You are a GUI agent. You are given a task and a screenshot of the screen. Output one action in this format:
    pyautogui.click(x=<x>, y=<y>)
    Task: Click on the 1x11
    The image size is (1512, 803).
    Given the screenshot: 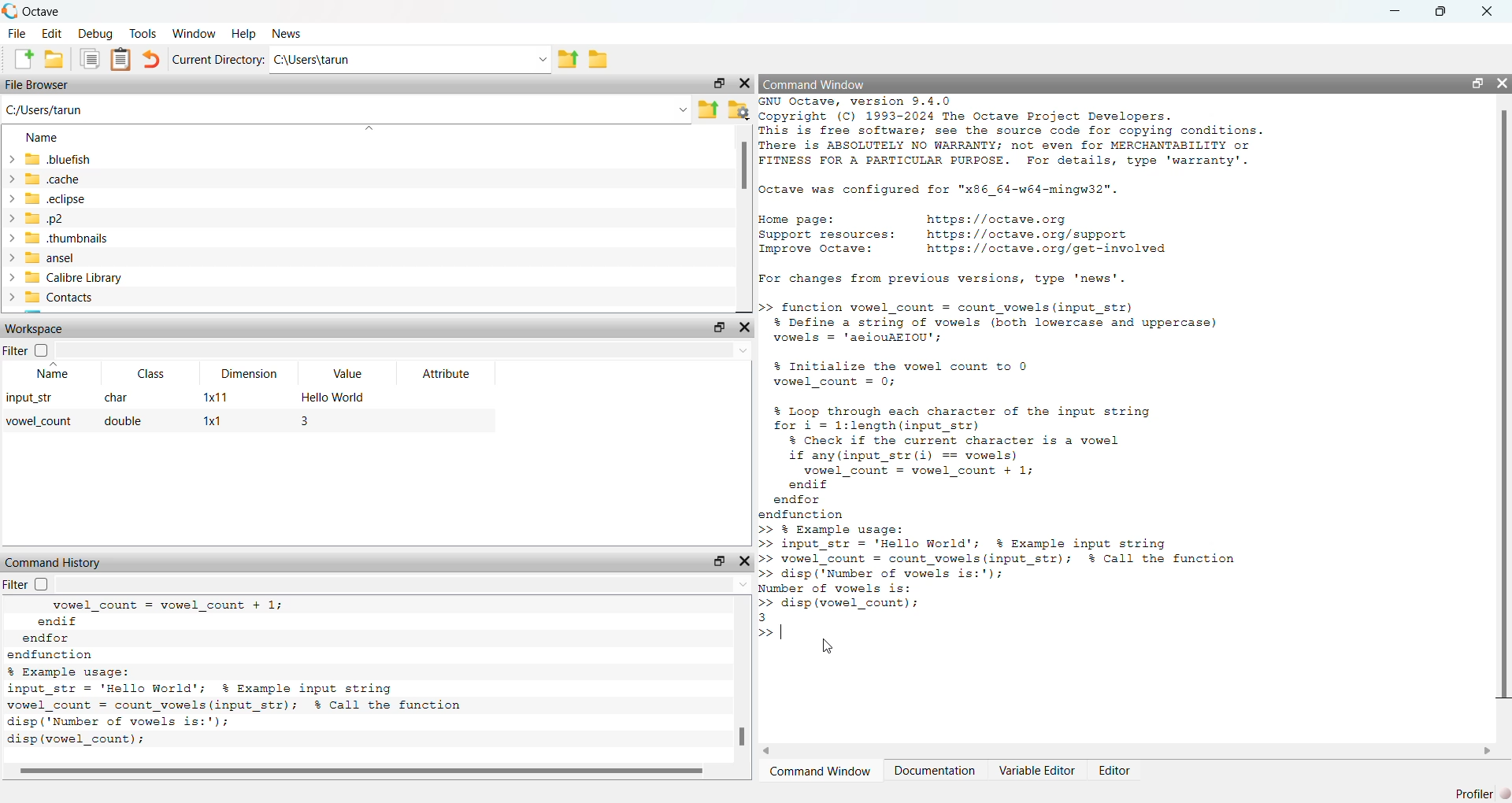 What is the action you would take?
    pyautogui.click(x=216, y=398)
    